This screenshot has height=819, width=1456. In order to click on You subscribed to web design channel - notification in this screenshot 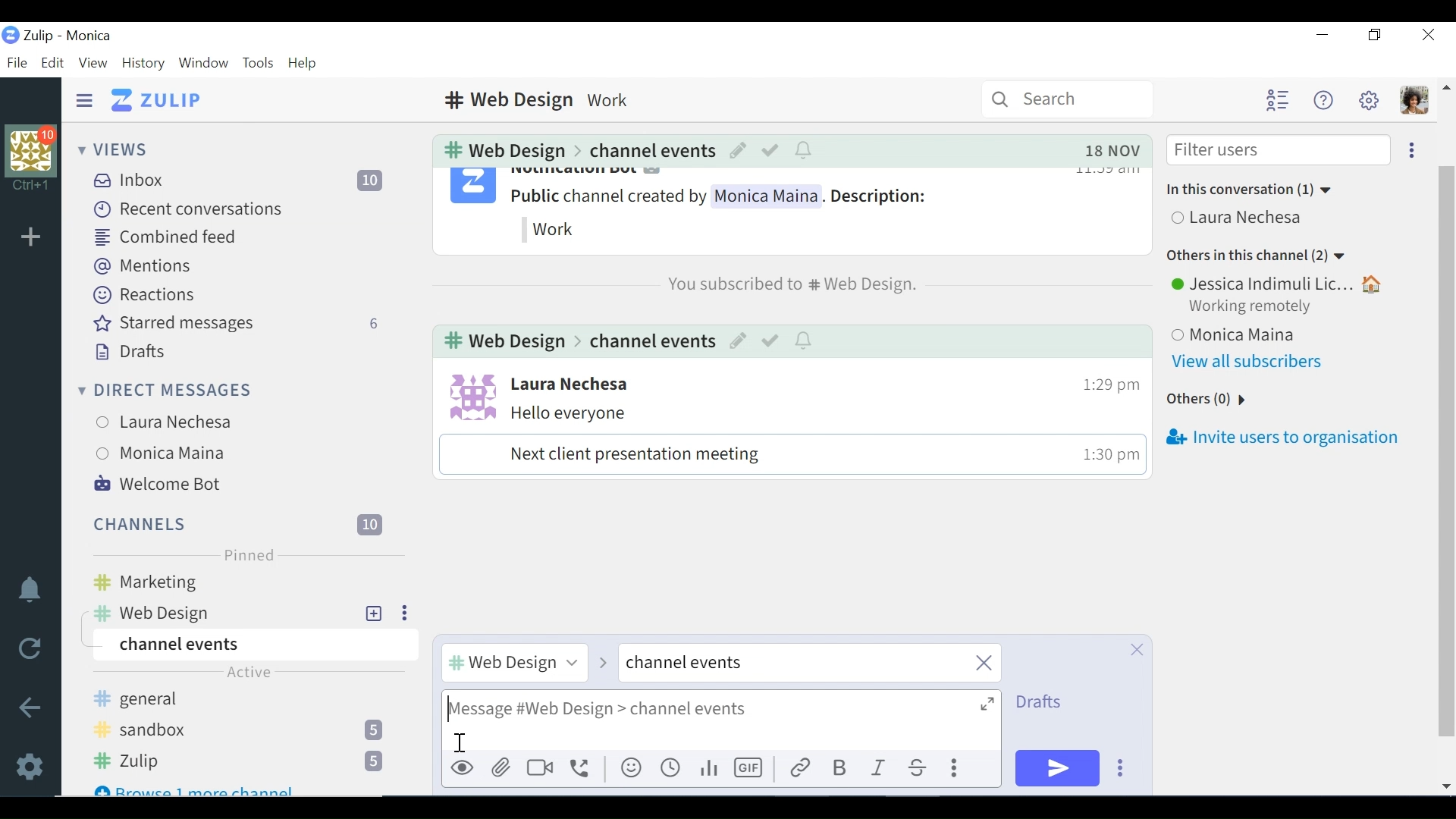, I will do `click(789, 284)`.